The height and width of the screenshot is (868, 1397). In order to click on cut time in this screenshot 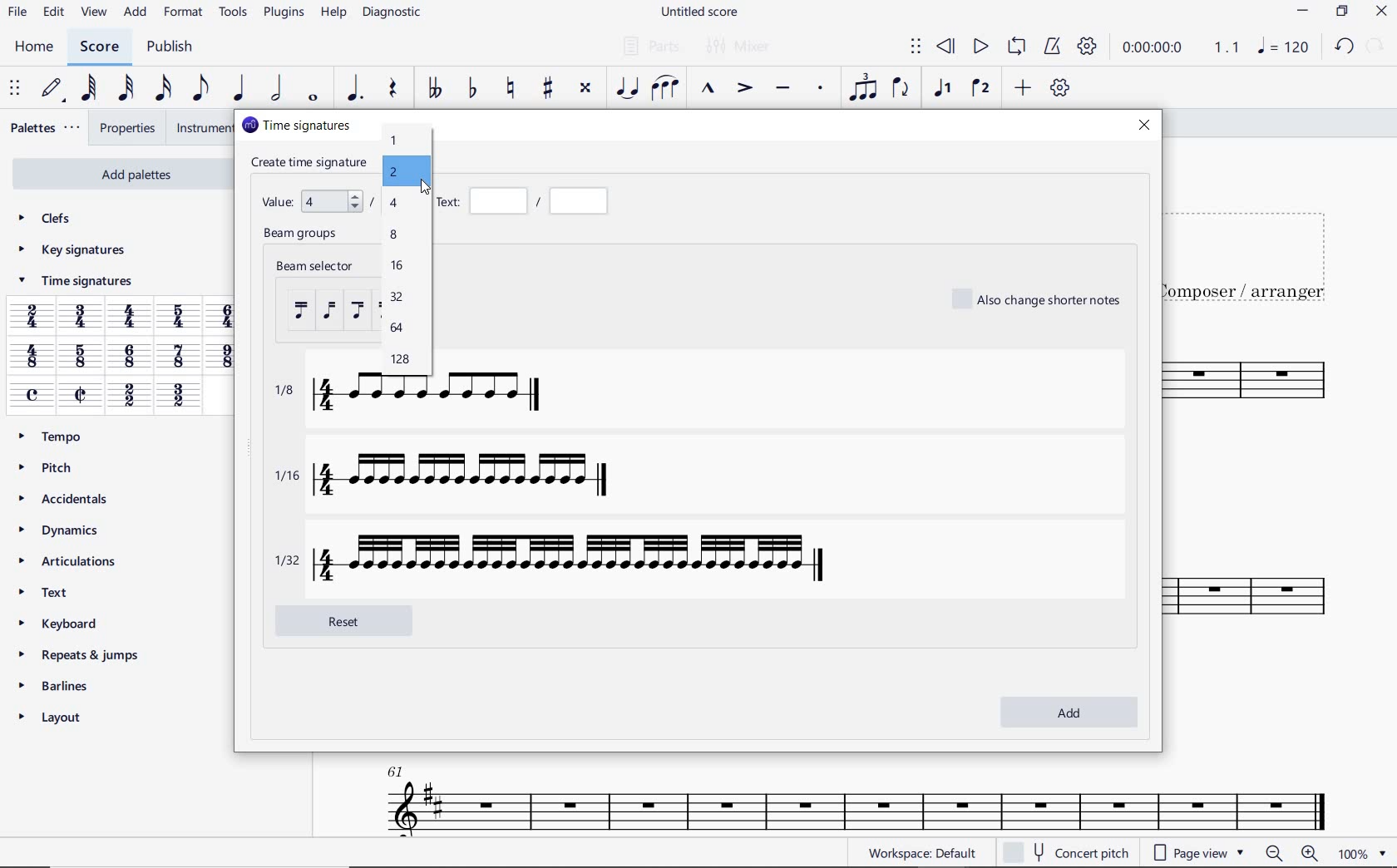, I will do `click(80, 394)`.